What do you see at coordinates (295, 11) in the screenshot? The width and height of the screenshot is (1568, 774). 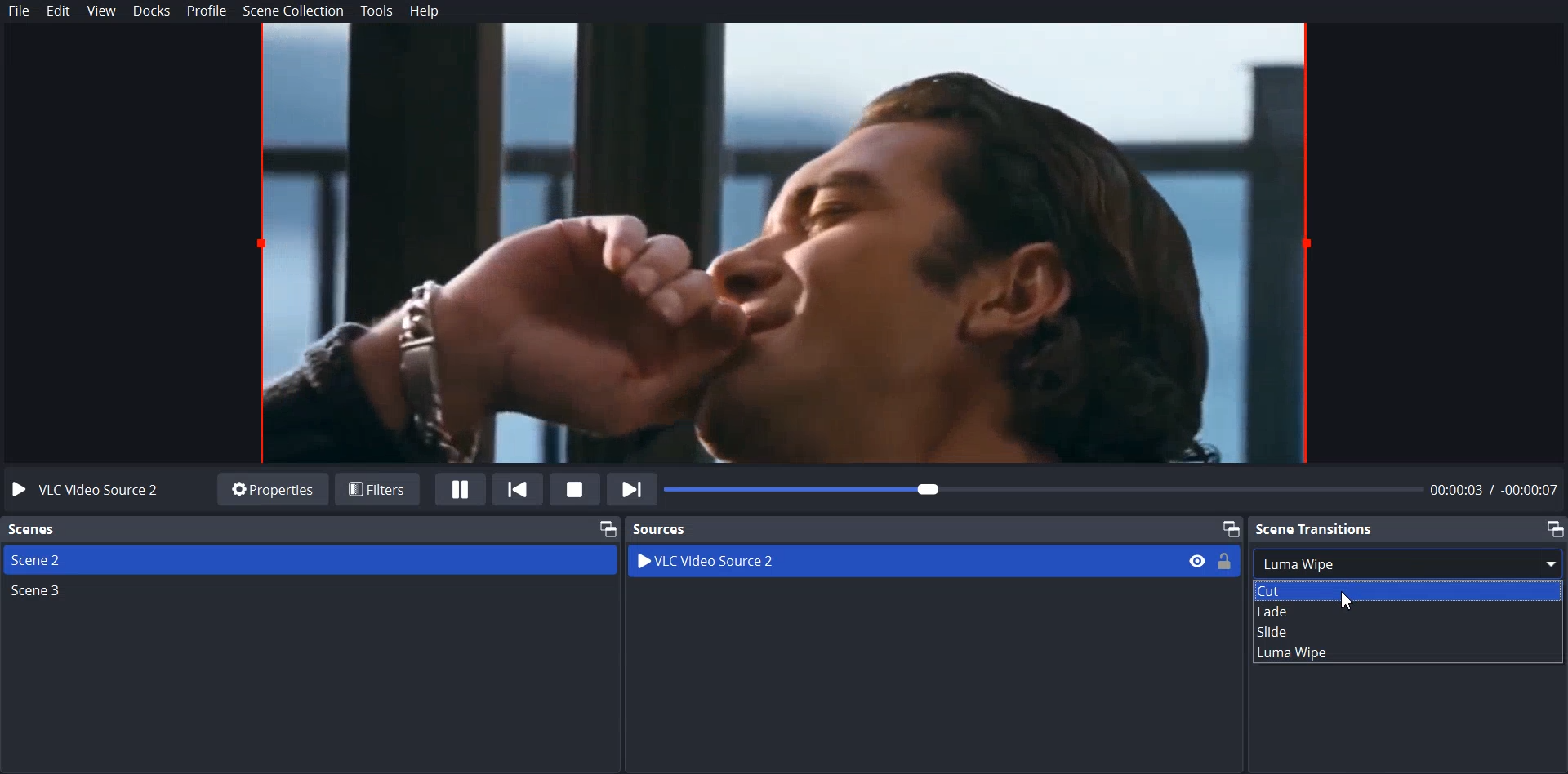 I see `Scene Collection` at bounding box center [295, 11].